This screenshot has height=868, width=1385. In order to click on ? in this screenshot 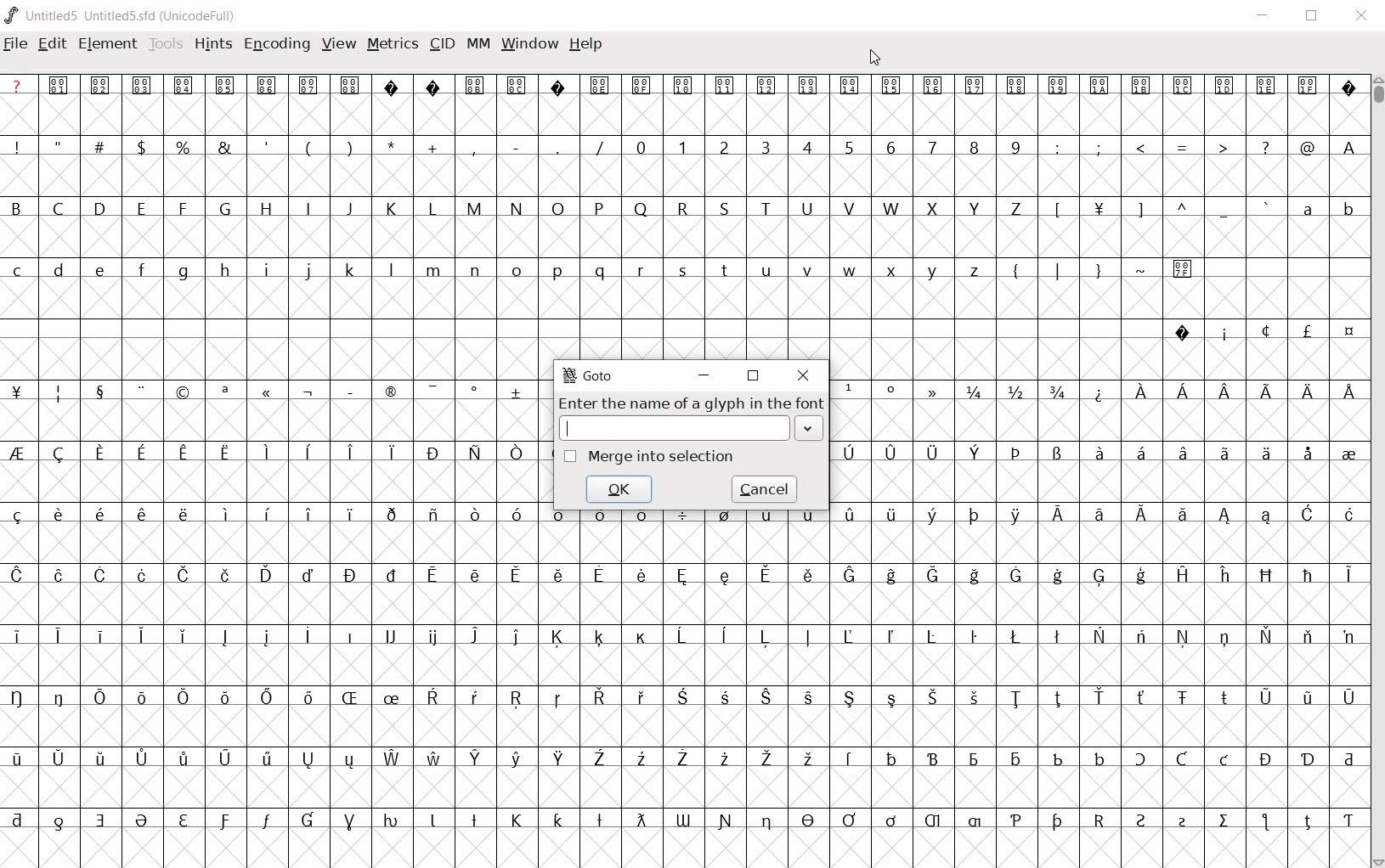, I will do `click(18, 85)`.